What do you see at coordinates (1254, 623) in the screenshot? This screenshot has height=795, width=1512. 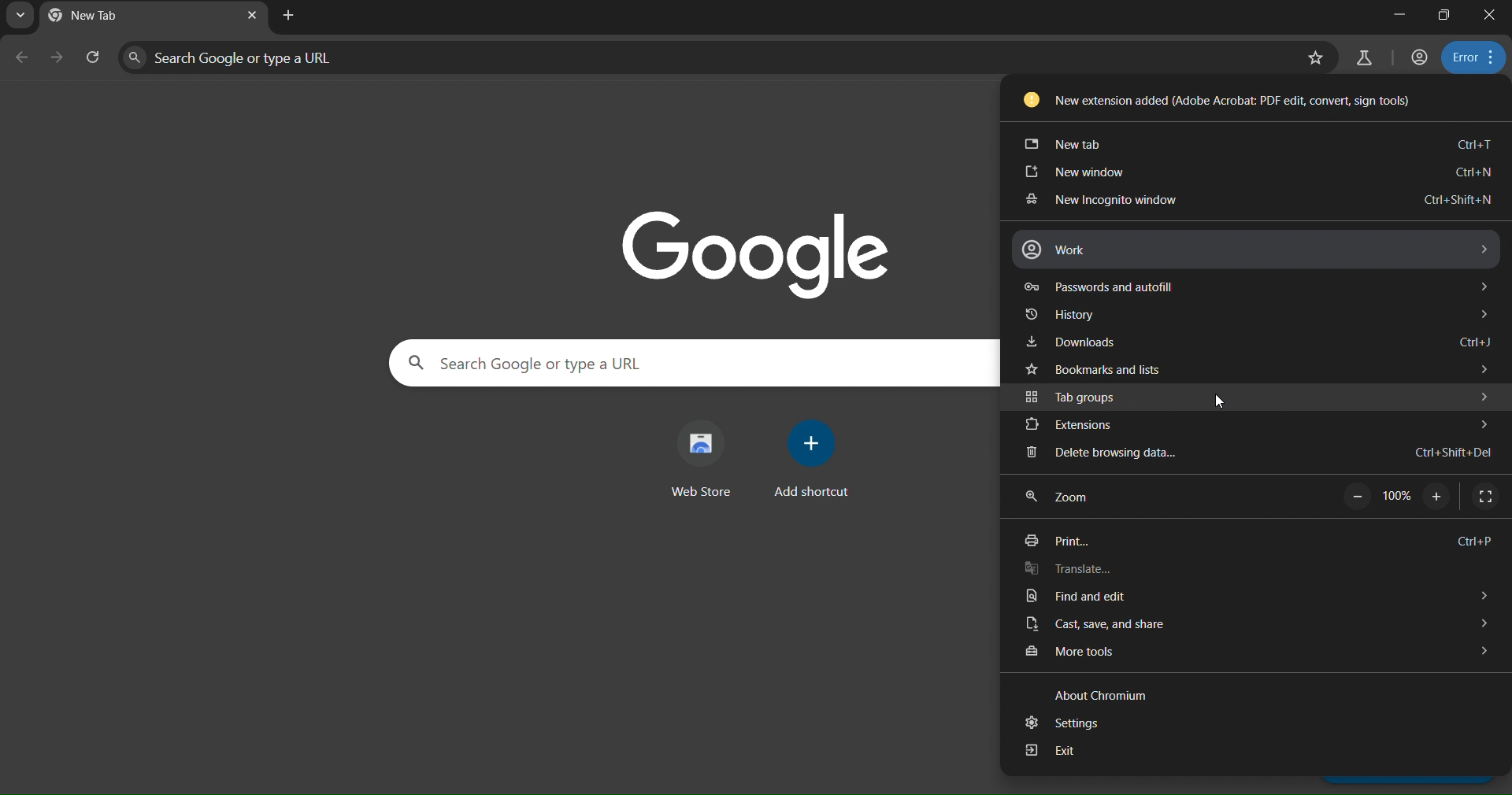 I see `cast save and share` at bounding box center [1254, 623].